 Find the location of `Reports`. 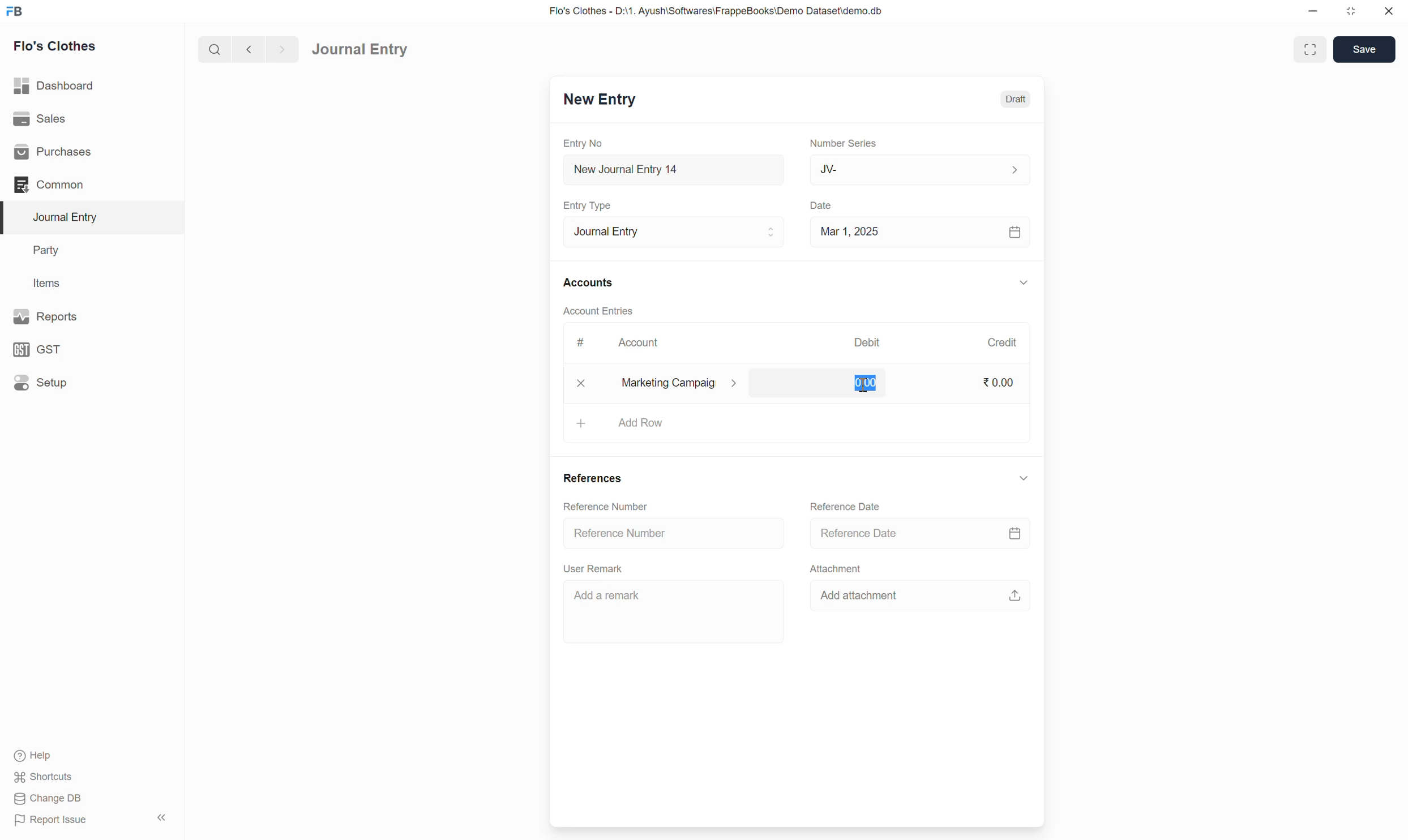

Reports is located at coordinates (49, 316).